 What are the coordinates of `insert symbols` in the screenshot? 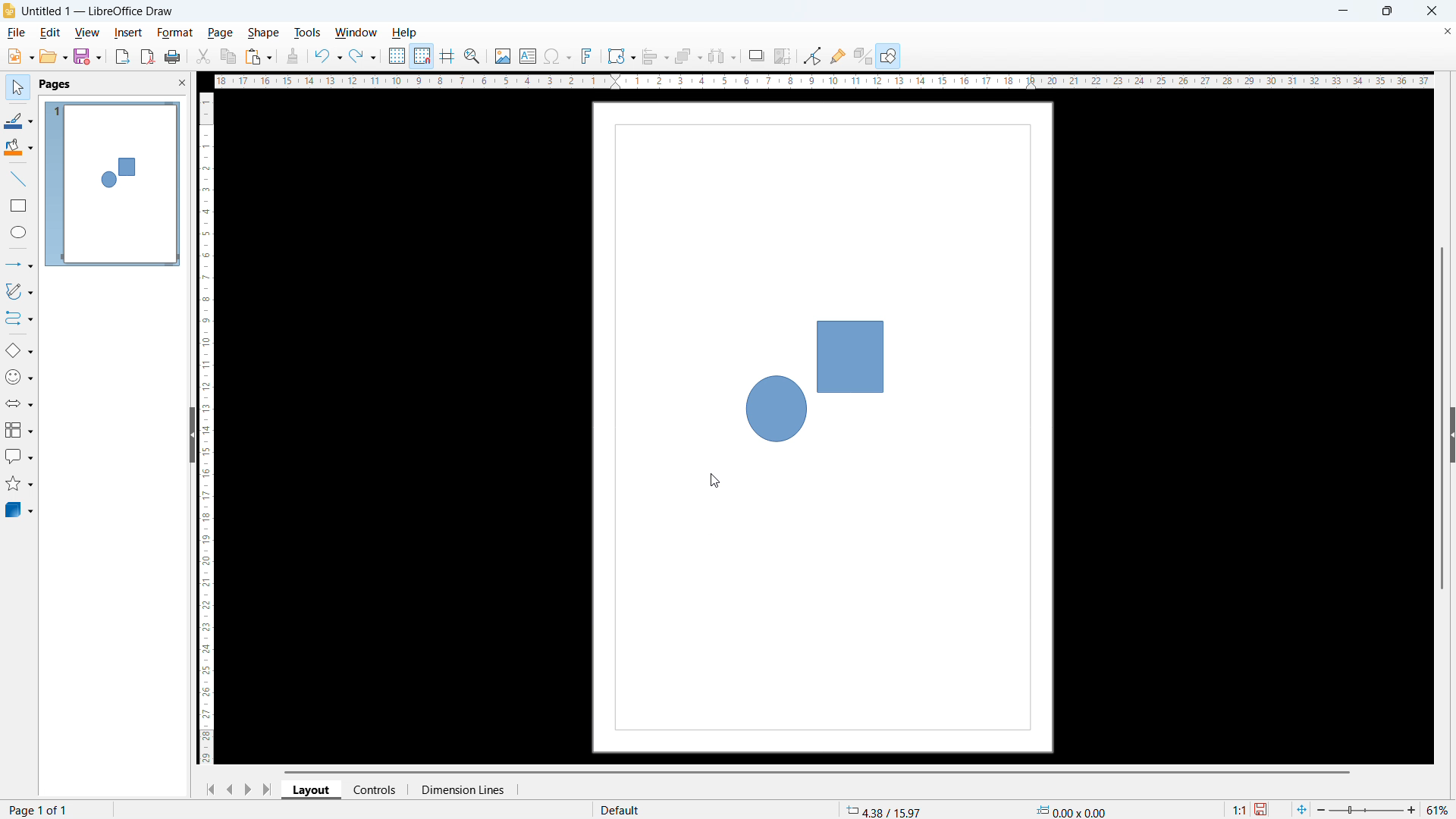 It's located at (557, 57).